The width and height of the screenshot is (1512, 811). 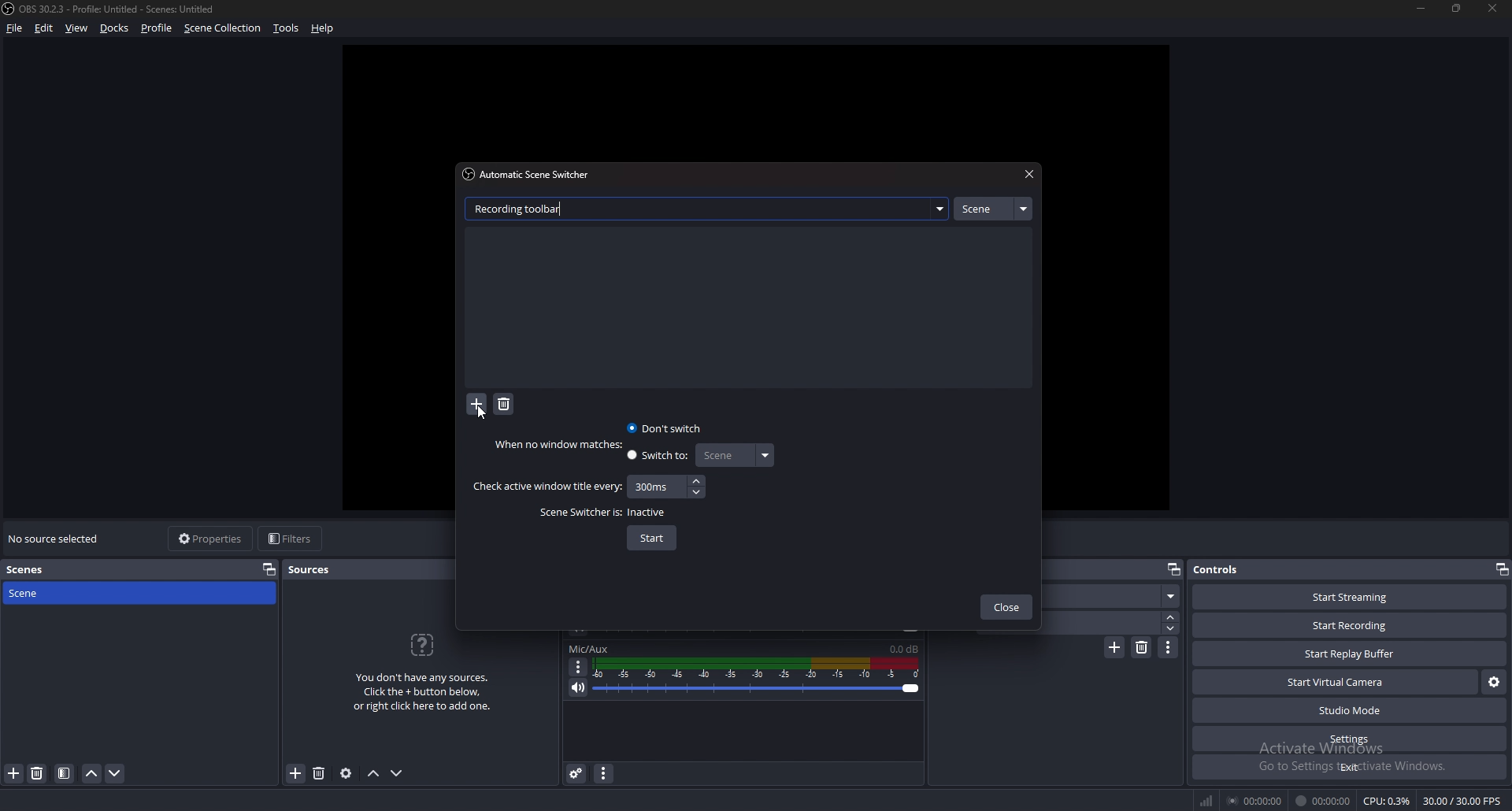 What do you see at coordinates (652, 539) in the screenshot?
I see `start` at bounding box center [652, 539].